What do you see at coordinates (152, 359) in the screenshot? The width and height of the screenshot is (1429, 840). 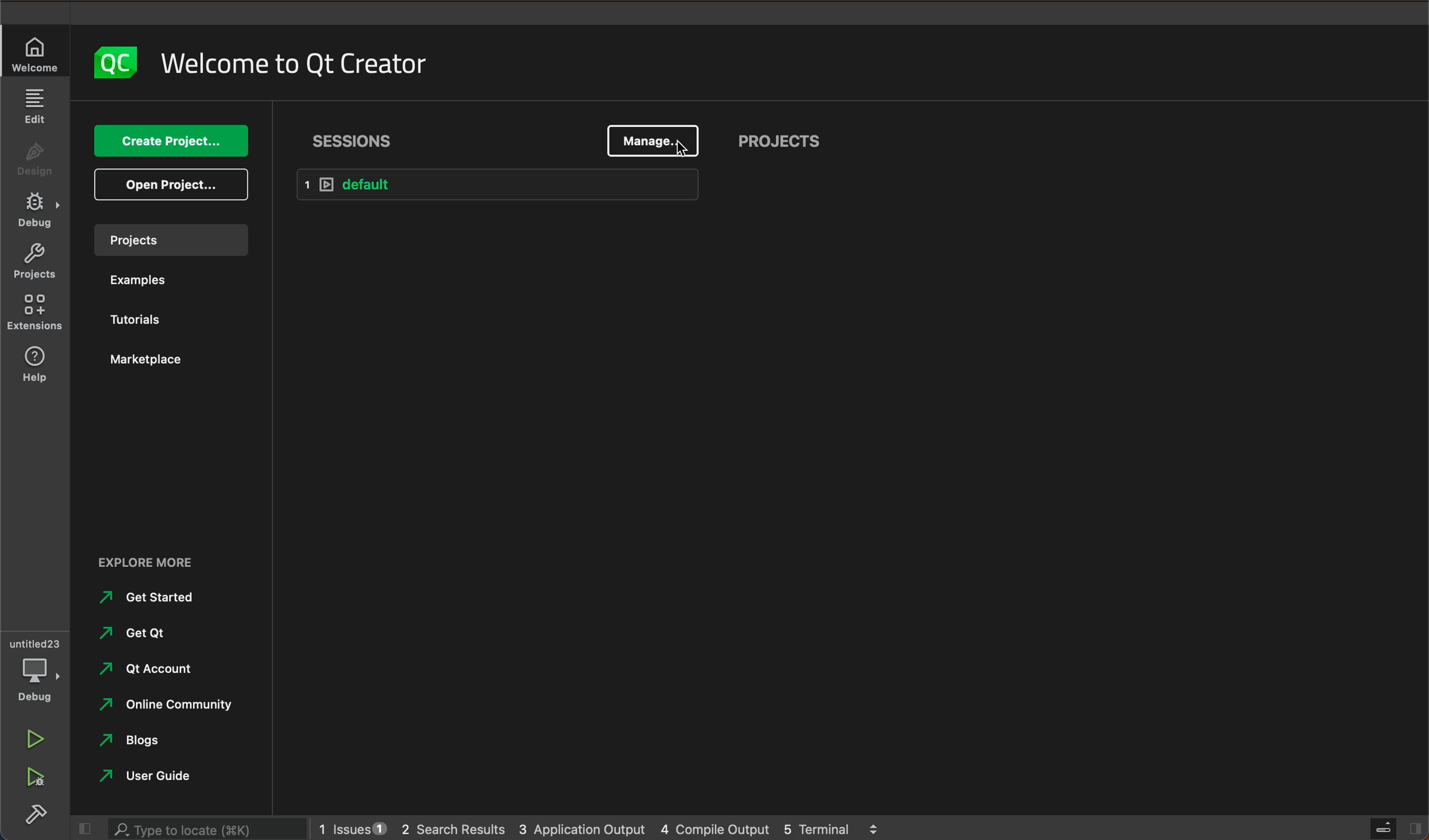 I see `marketplace` at bounding box center [152, 359].